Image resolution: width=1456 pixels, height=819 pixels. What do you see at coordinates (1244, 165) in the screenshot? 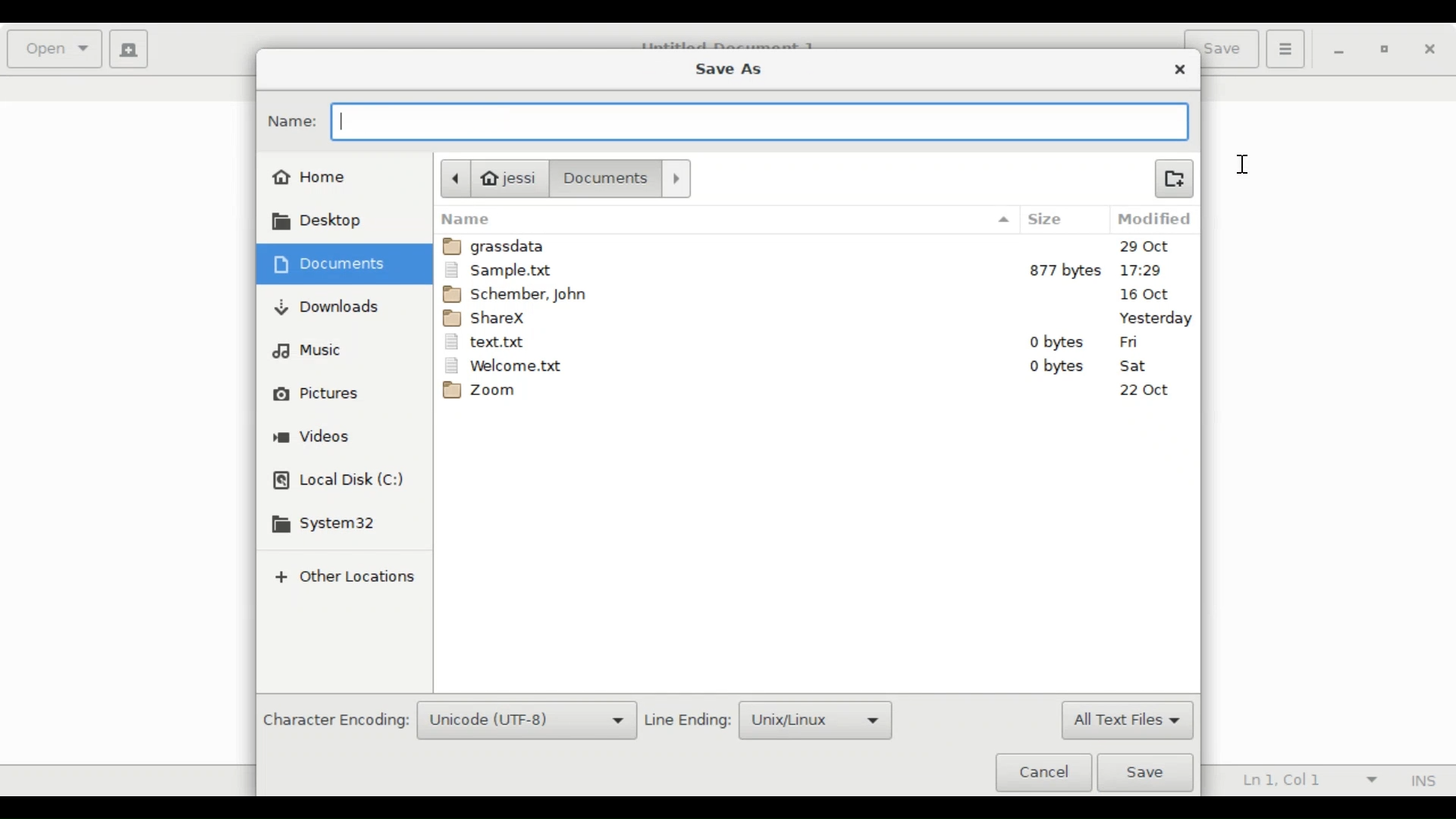
I see `cursor` at bounding box center [1244, 165].